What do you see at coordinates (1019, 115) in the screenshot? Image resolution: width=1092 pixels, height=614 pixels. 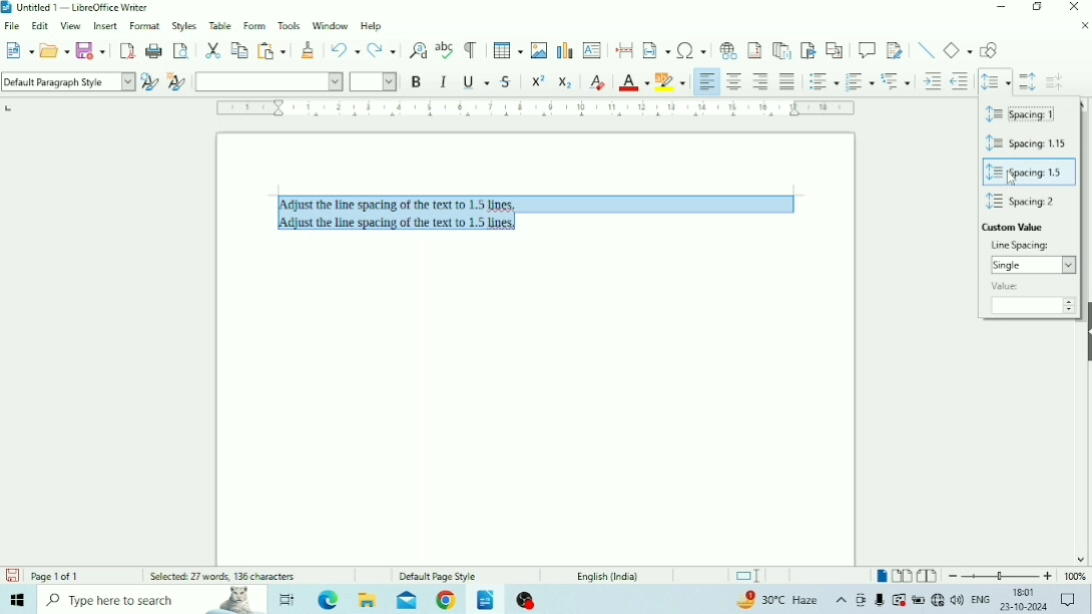 I see `Spacing: 1` at bounding box center [1019, 115].